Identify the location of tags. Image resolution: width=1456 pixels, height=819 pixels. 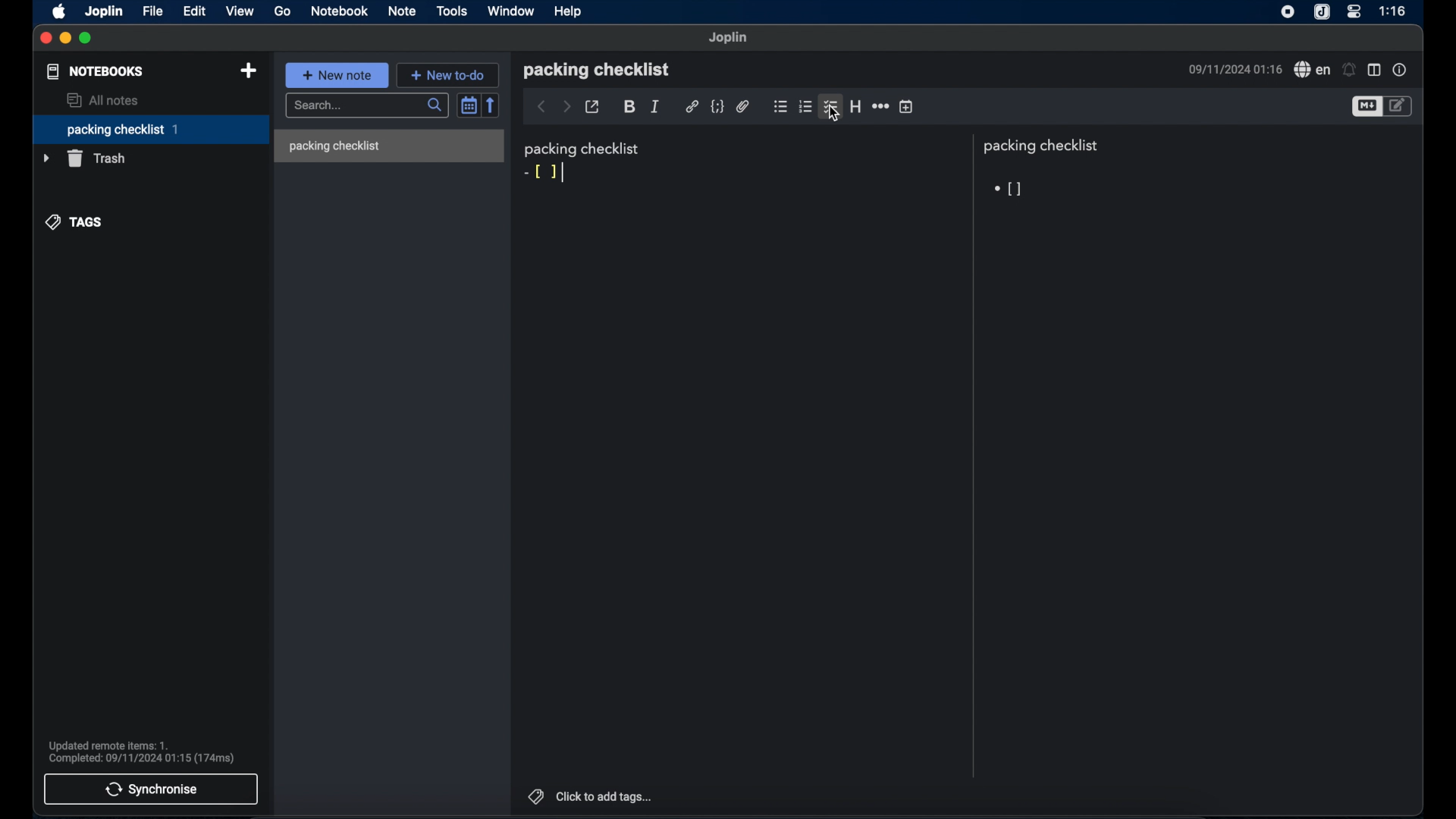
(74, 223).